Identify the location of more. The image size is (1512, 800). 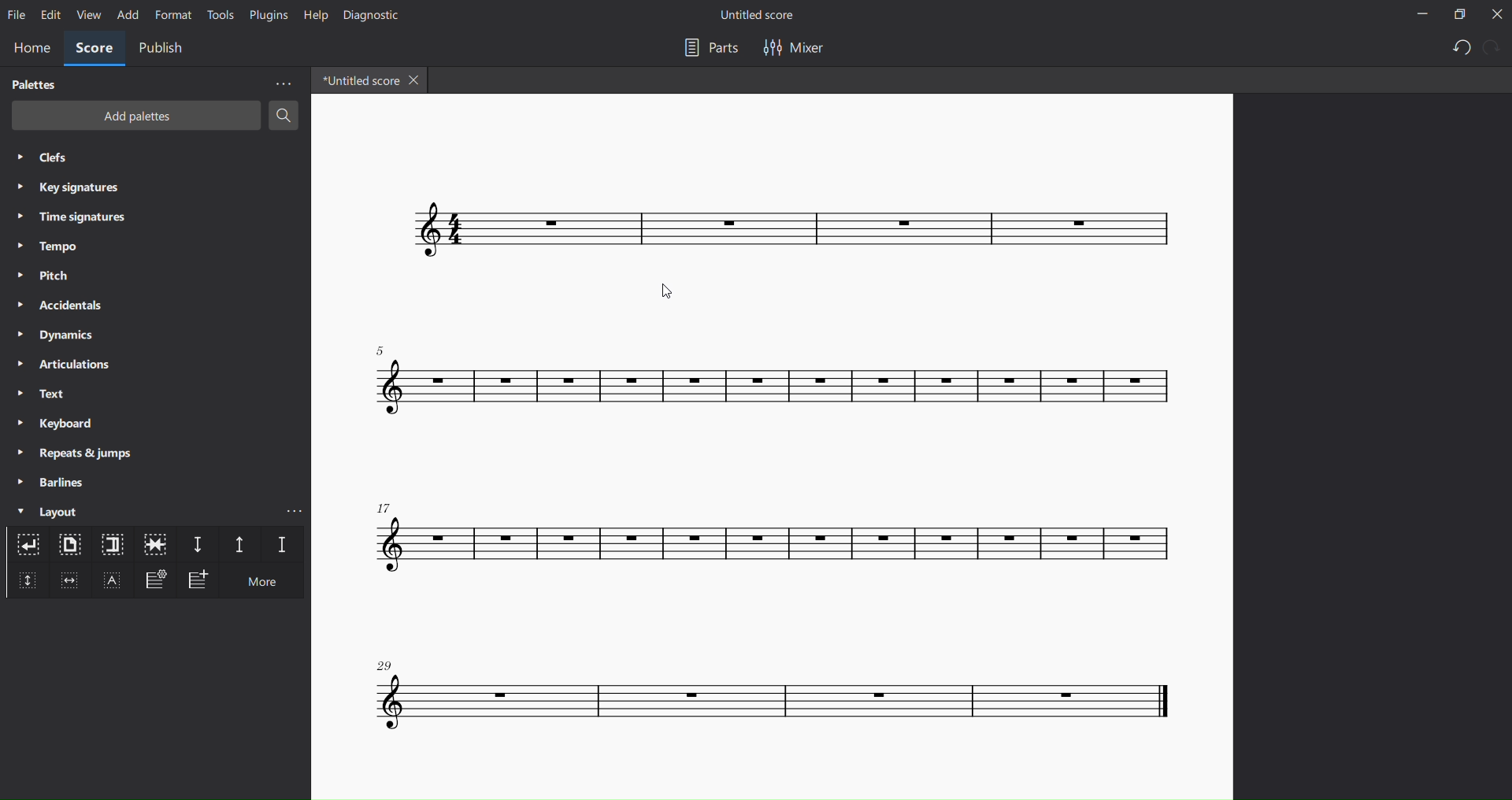
(269, 584).